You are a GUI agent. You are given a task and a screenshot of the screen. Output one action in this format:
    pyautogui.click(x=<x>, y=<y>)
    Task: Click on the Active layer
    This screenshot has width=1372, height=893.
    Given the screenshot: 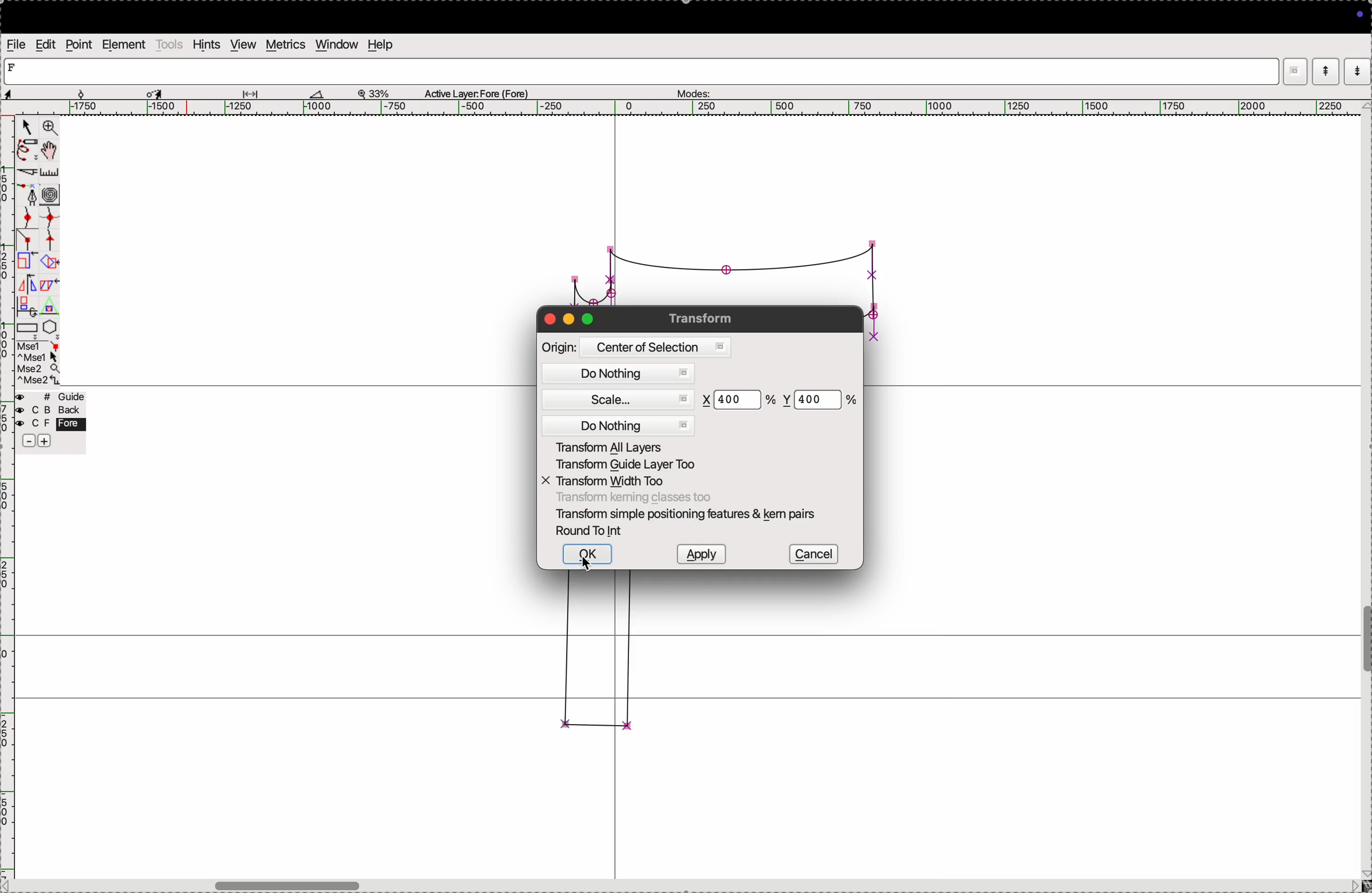 What is the action you would take?
    pyautogui.click(x=477, y=92)
    